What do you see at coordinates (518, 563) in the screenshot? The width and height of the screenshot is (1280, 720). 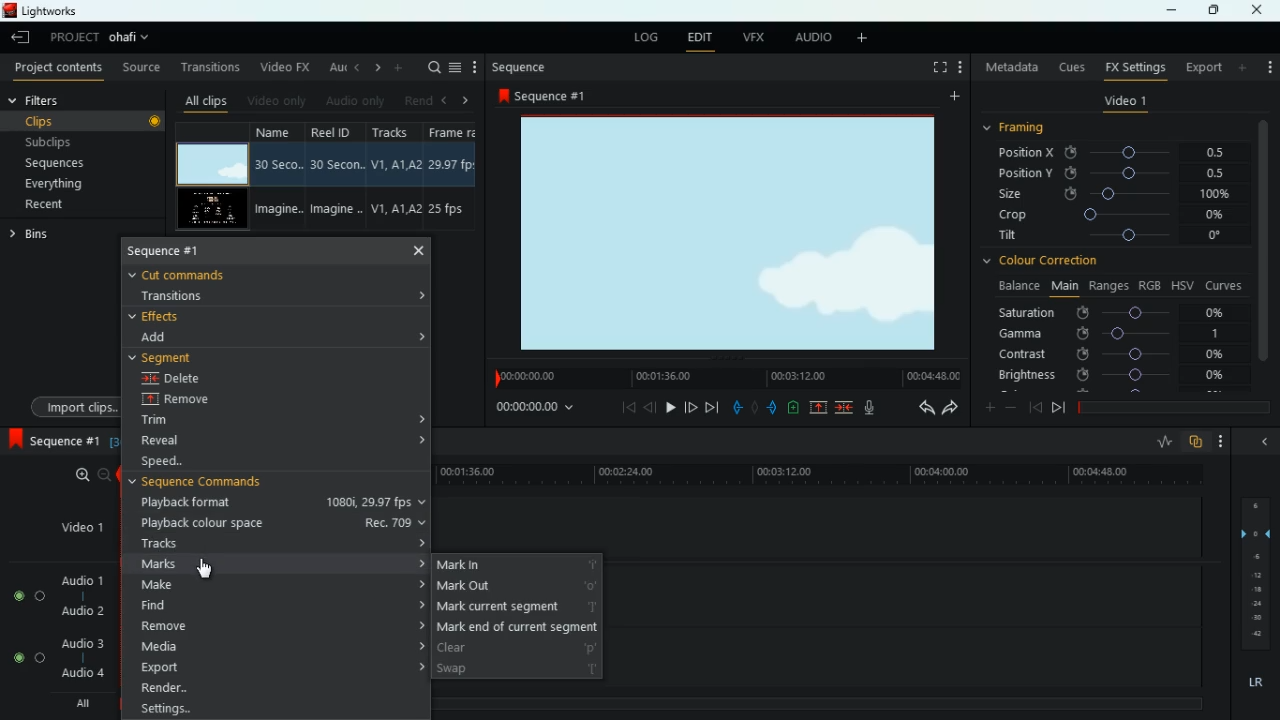 I see `mark in` at bounding box center [518, 563].